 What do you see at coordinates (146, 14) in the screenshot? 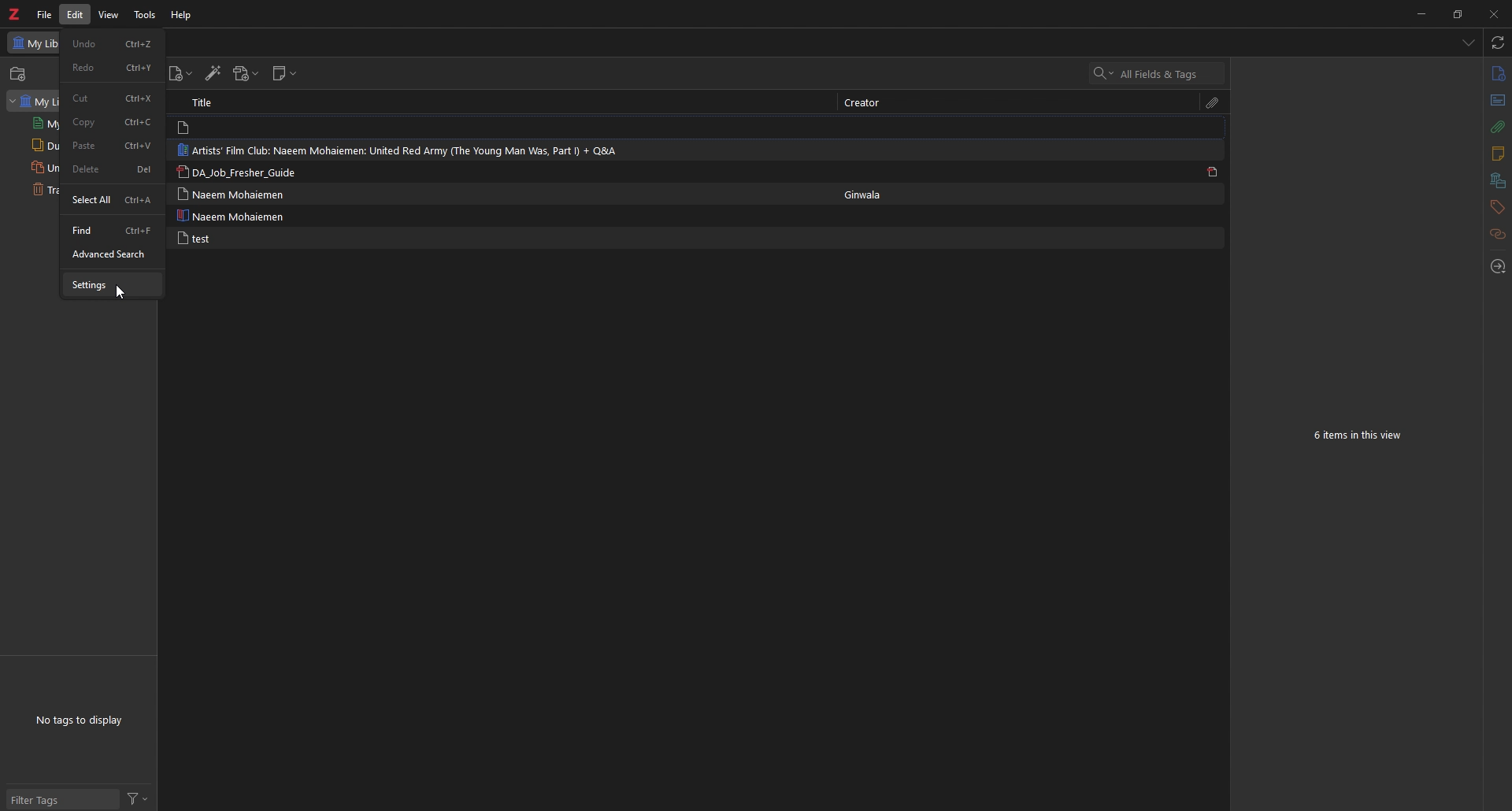
I see `tools` at bounding box center [146, 14].